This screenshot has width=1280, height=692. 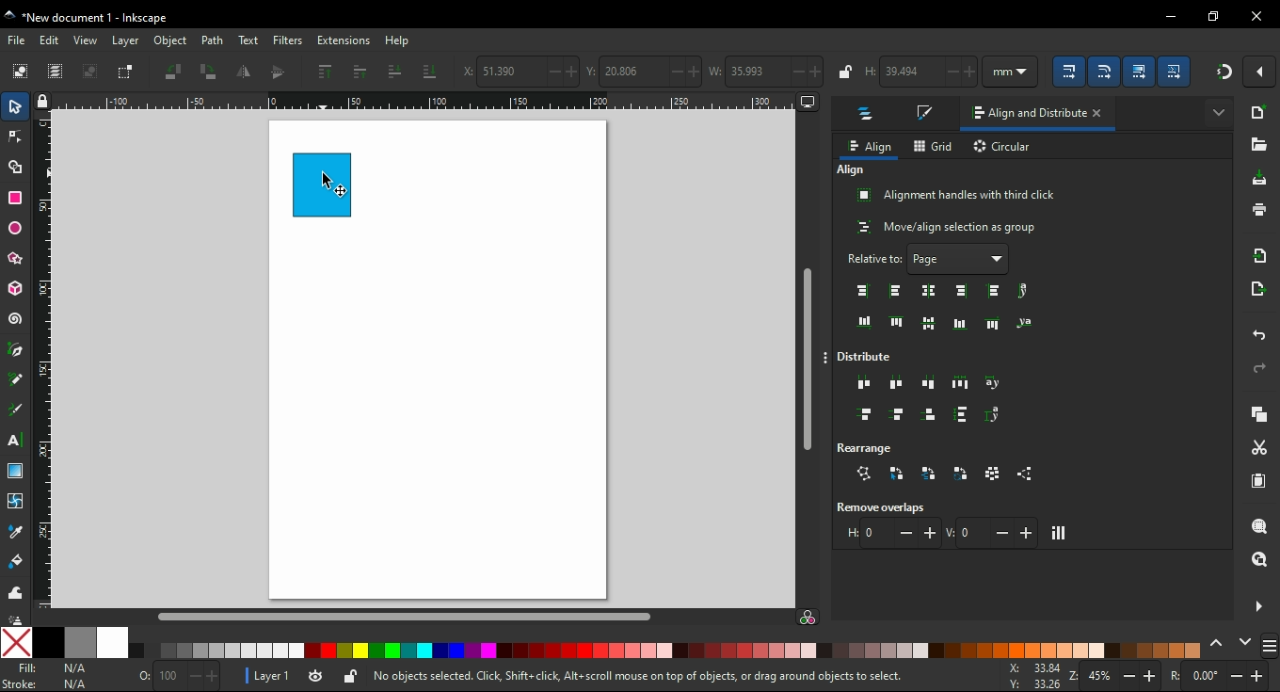 I want to click on relative to, so click(x=929, y=259).